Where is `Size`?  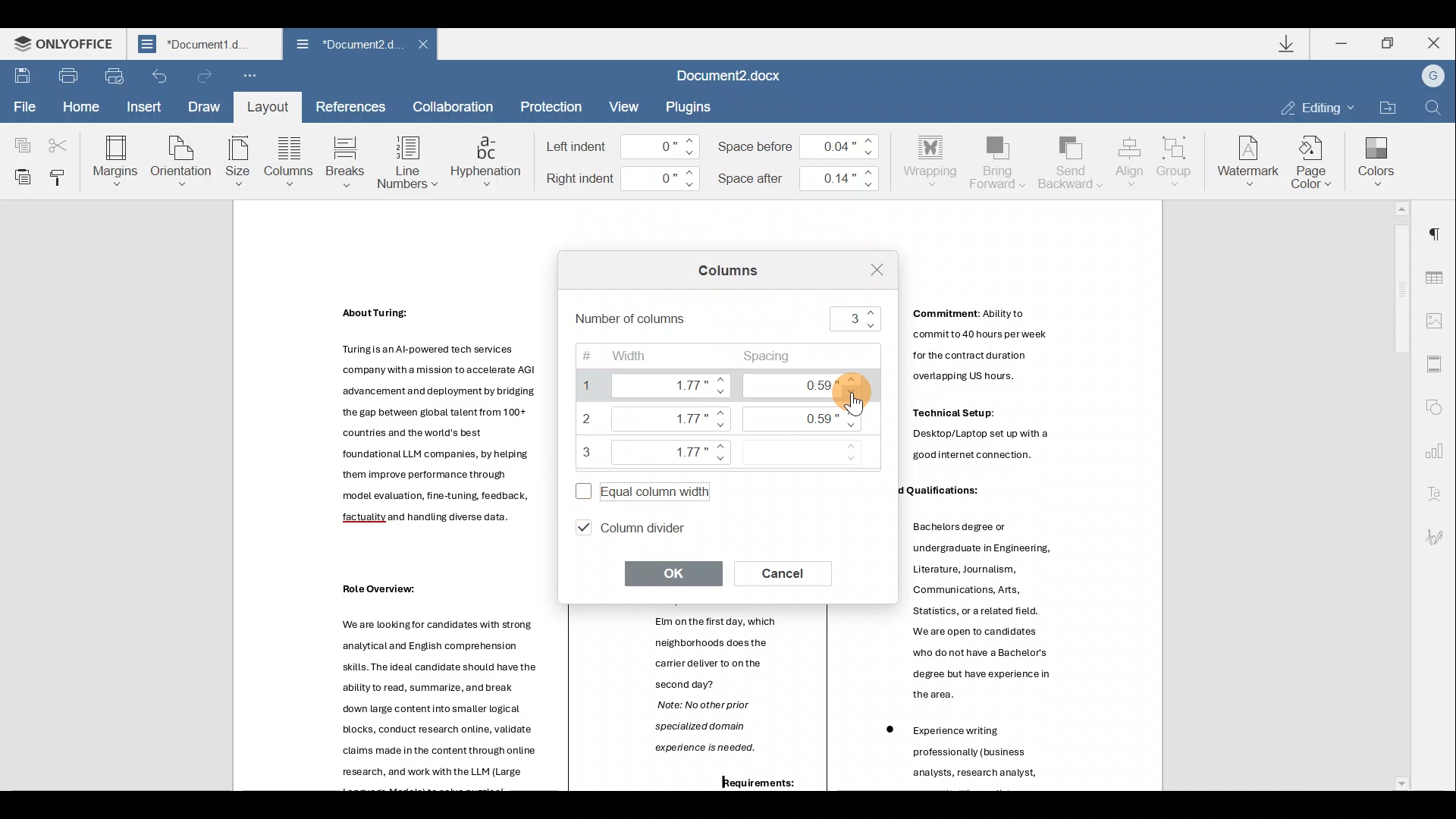 Size is located at coordinates (238, 162).